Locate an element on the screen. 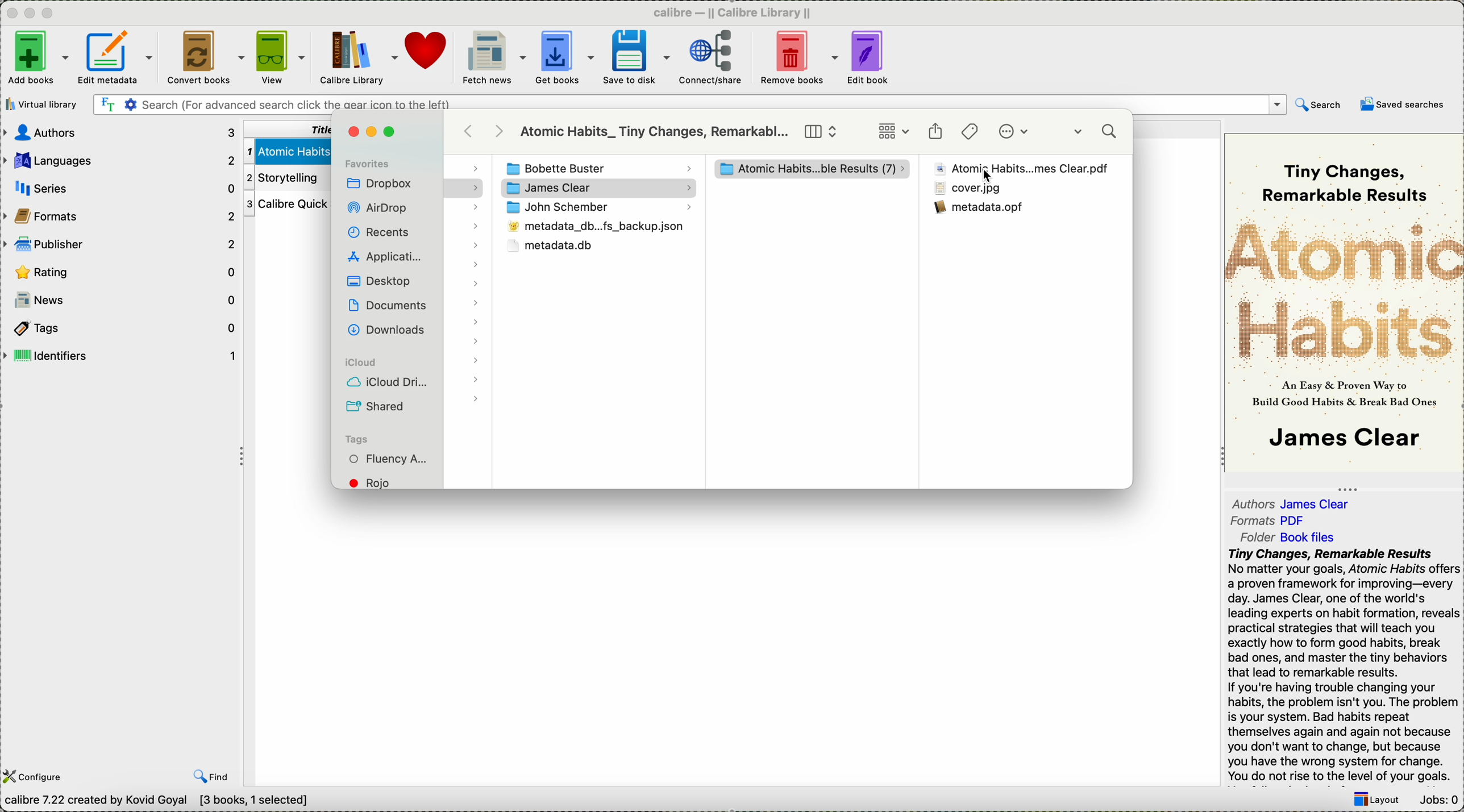 The width and height of the screenshot is (1464, 812). configure is located at coordinates (36, 777).